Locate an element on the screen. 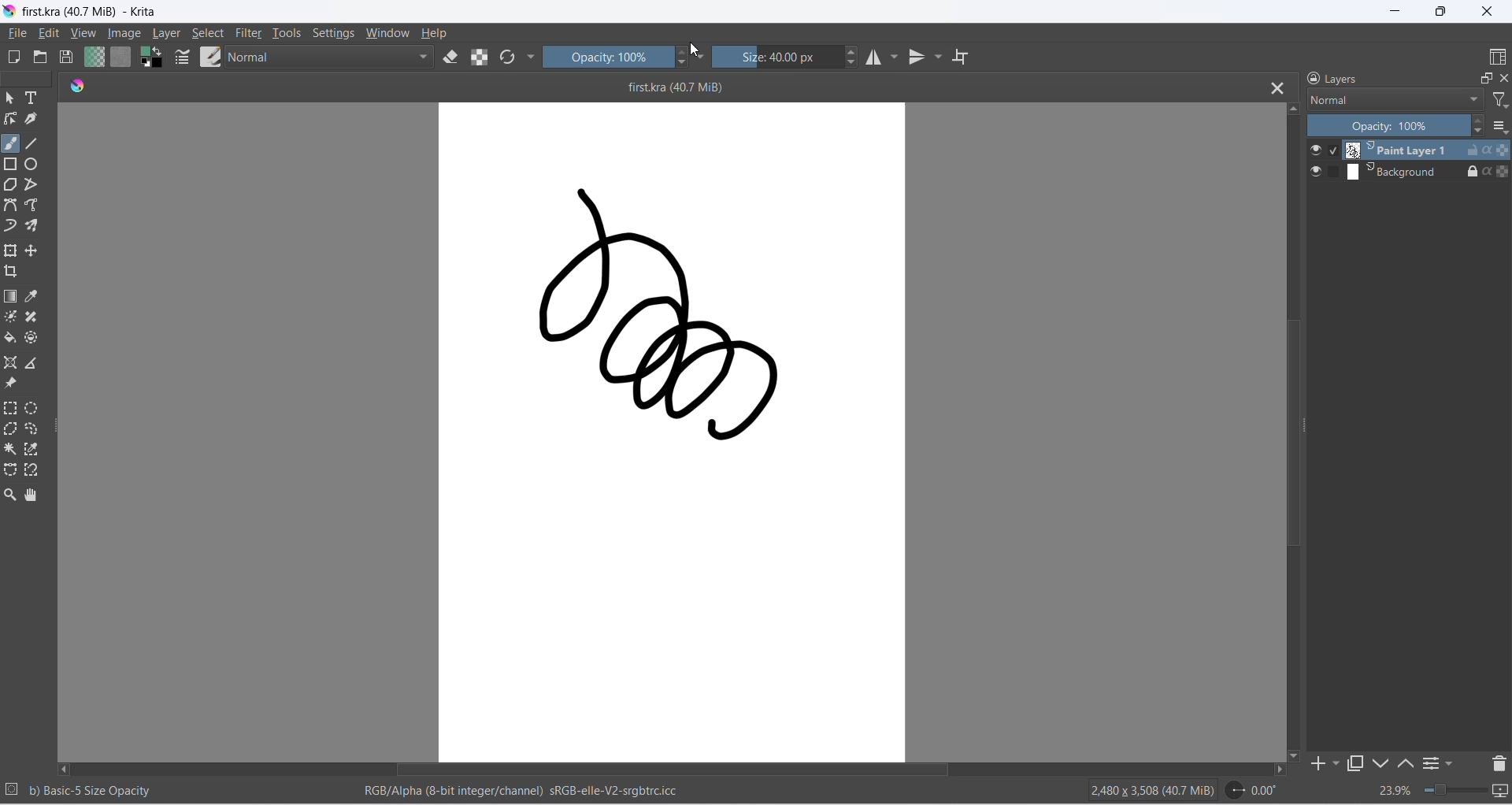  zoom layer window is located at coordinates (1487, 78).